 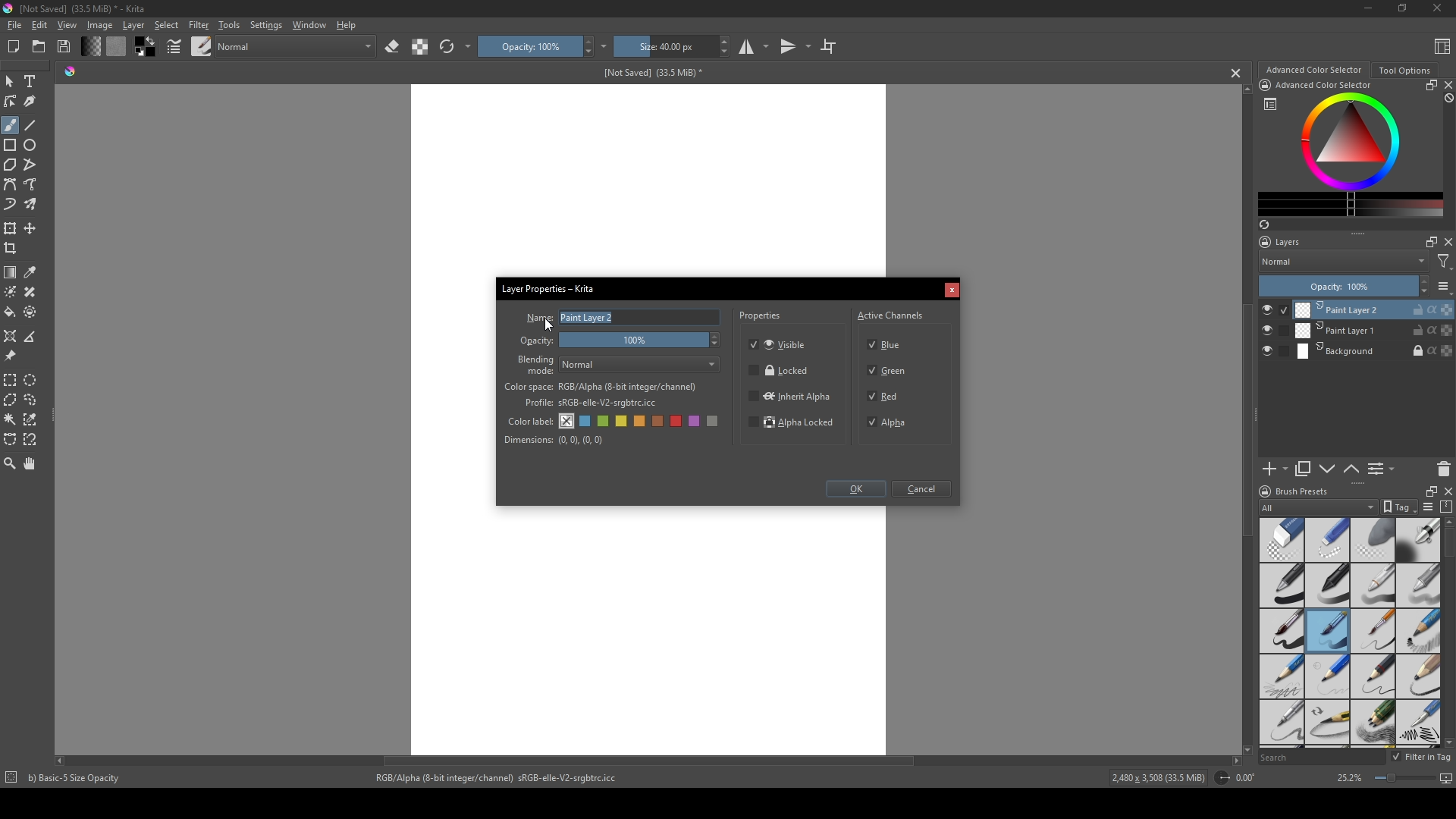 I want to click on Opacity: 100%, so click(x=1335, y=287).